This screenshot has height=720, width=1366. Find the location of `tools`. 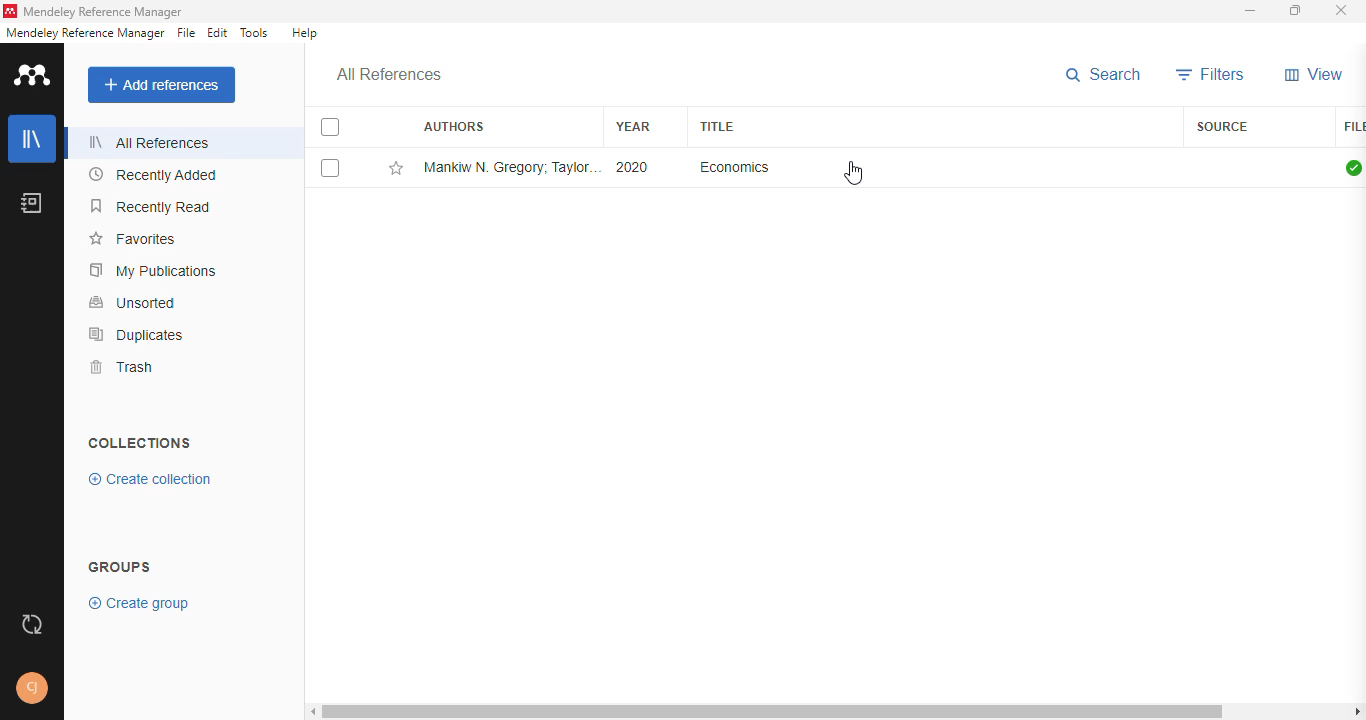

tools is located at coordinates (253, 32).